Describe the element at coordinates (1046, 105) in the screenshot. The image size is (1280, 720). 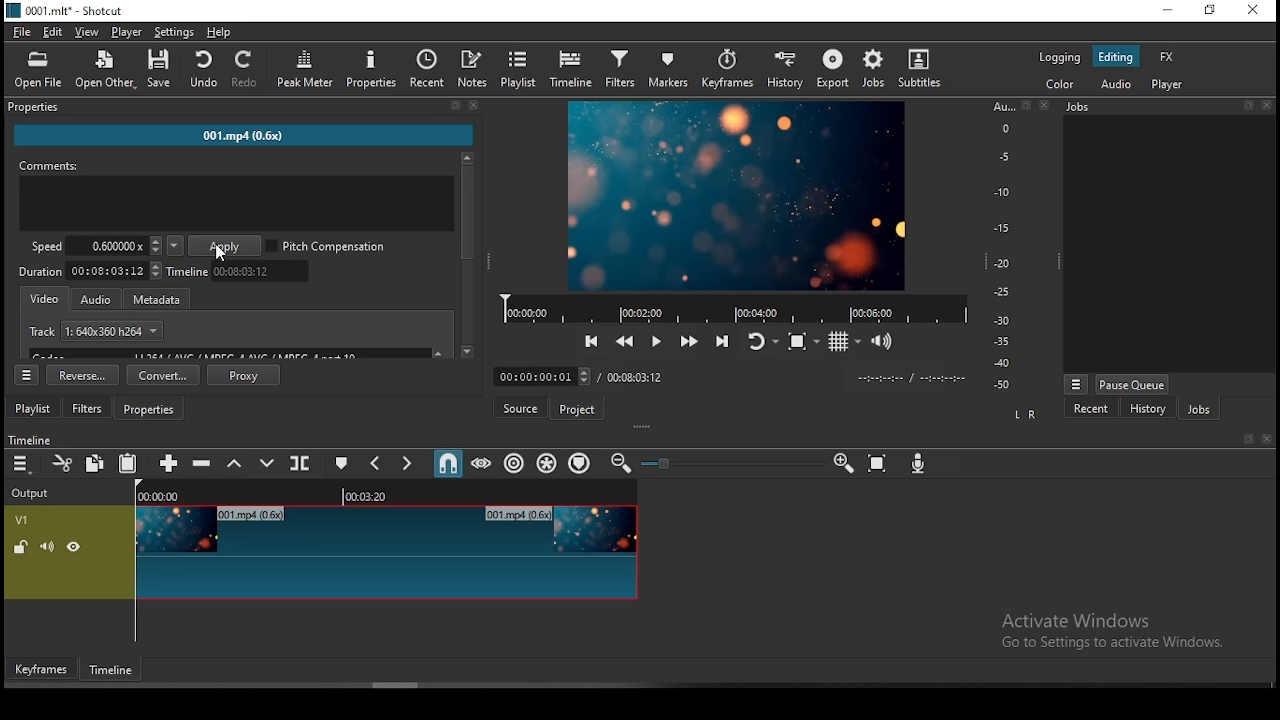
I see `Close` at that location.